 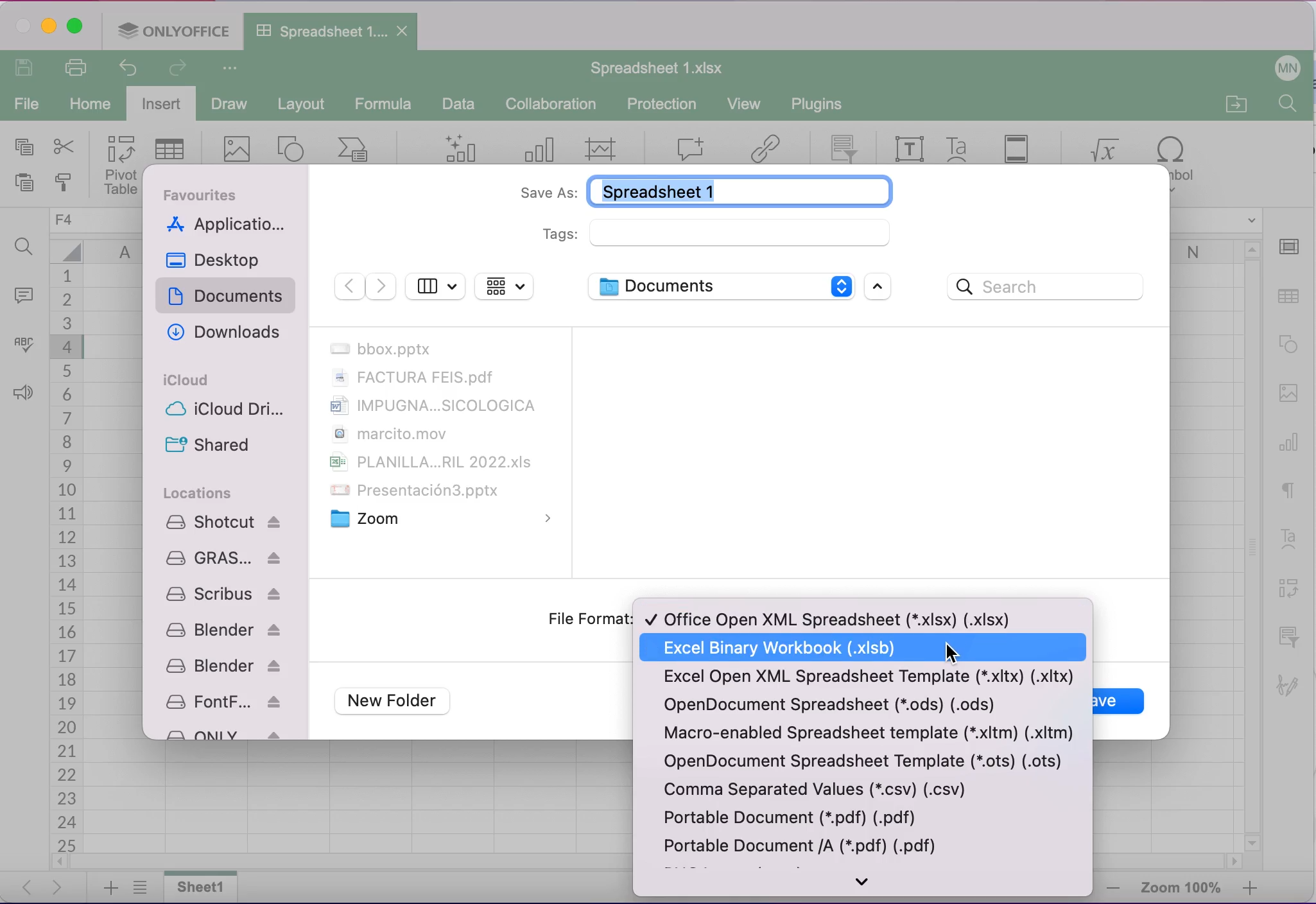 I want to click on save as, so click(x=698, y=189).